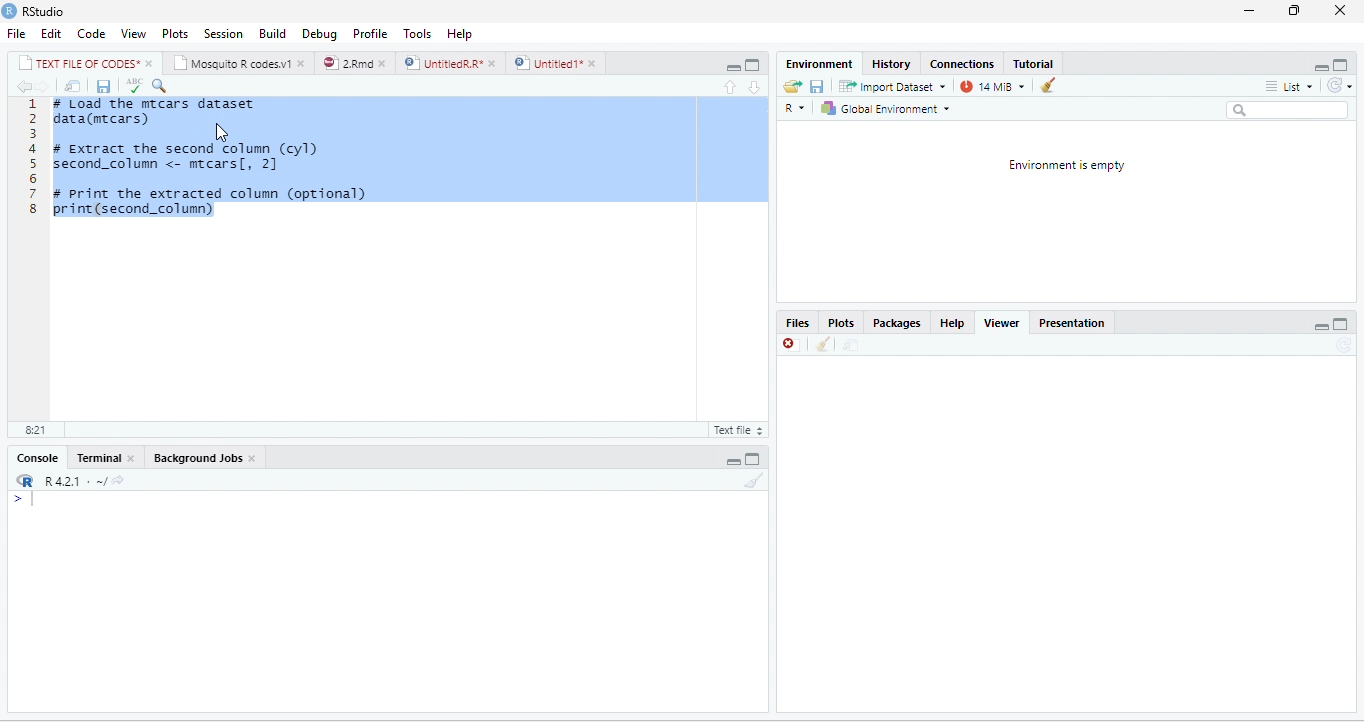 The image size is (1364, 722). Describe the element at coordinates (32, 193) in the screenshot. I see `7` at that location.